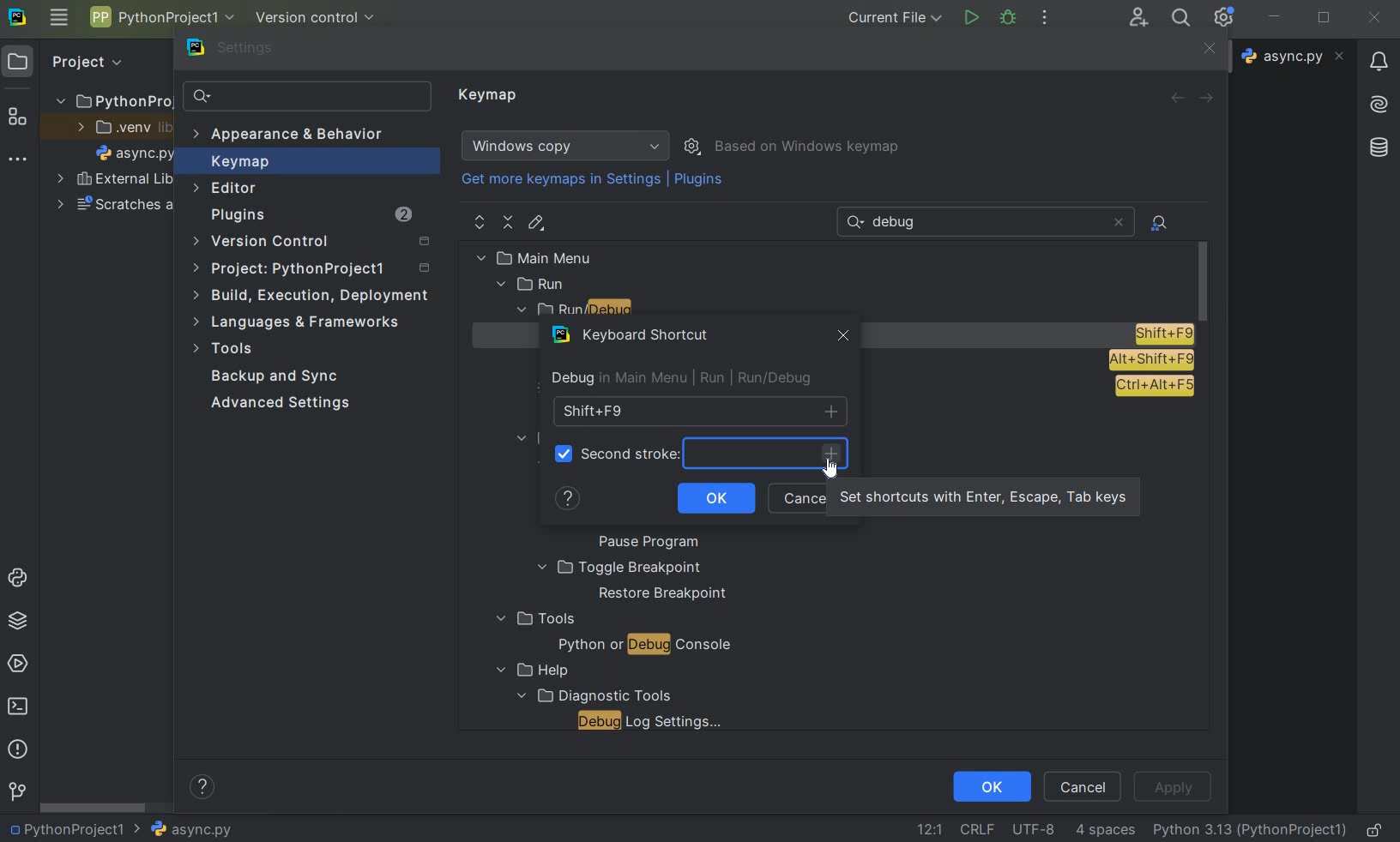 The height and width of the screenshot is (842, 1400). Describe the element at coordinates (16, 15) in the screenshot. I see `system logo` at that location.